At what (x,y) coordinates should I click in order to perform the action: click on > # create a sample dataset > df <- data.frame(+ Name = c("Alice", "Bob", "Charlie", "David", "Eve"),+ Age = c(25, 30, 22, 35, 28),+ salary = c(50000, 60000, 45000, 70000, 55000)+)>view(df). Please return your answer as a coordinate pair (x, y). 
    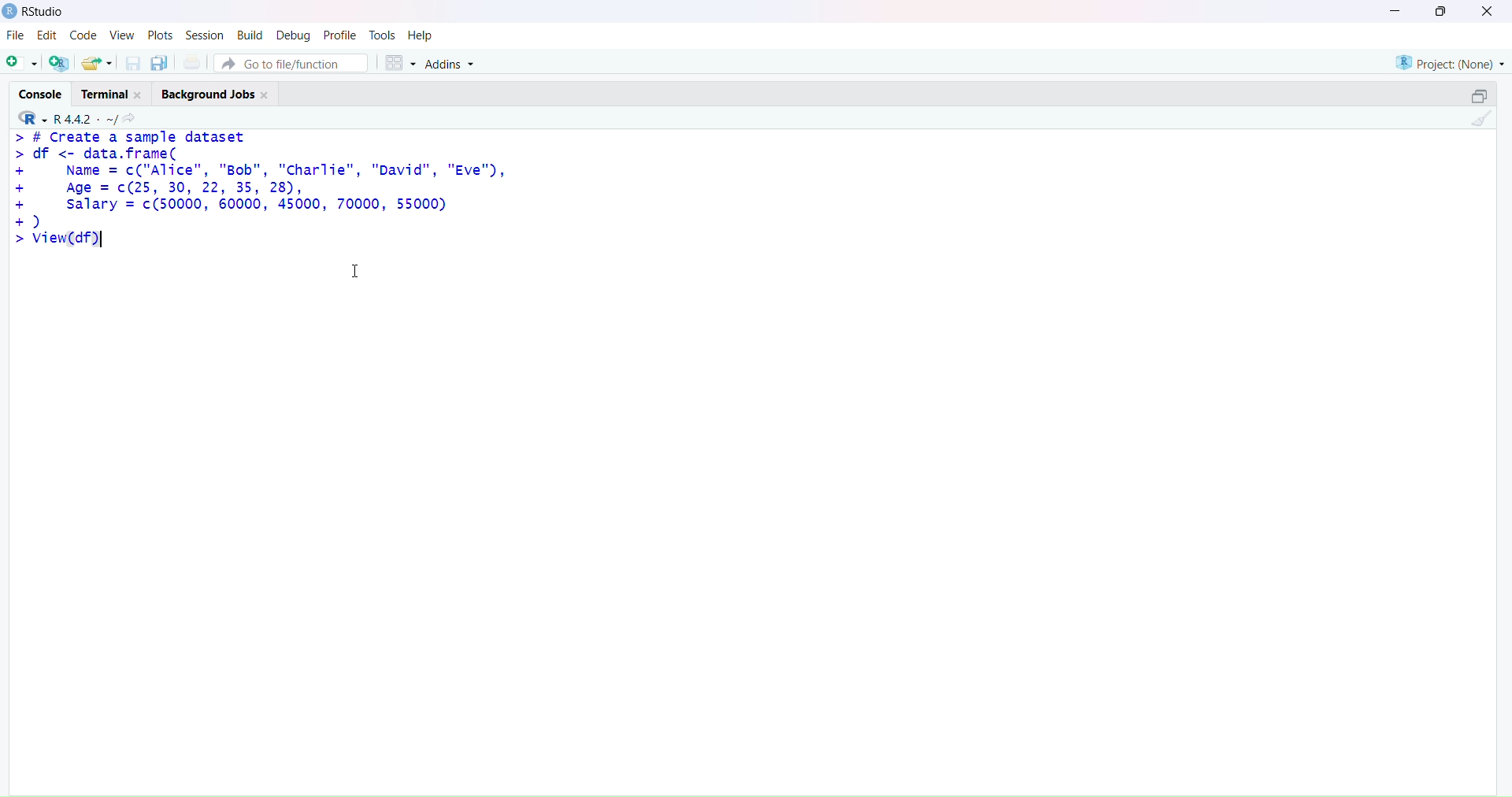
    Looking at the image, I should click on (272, 193).